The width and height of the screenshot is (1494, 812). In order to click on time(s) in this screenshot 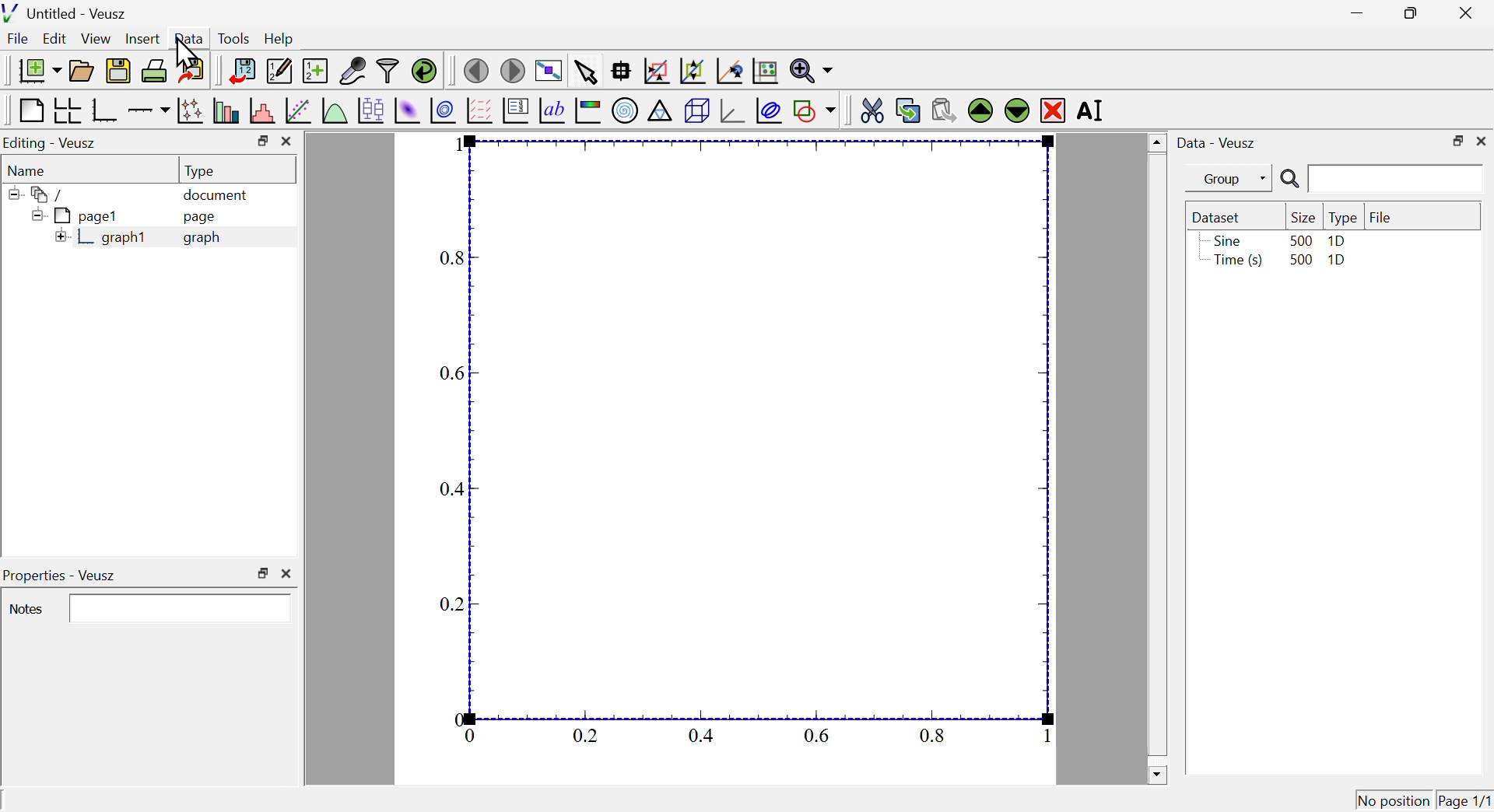, I will do `click(1235, 261)`.